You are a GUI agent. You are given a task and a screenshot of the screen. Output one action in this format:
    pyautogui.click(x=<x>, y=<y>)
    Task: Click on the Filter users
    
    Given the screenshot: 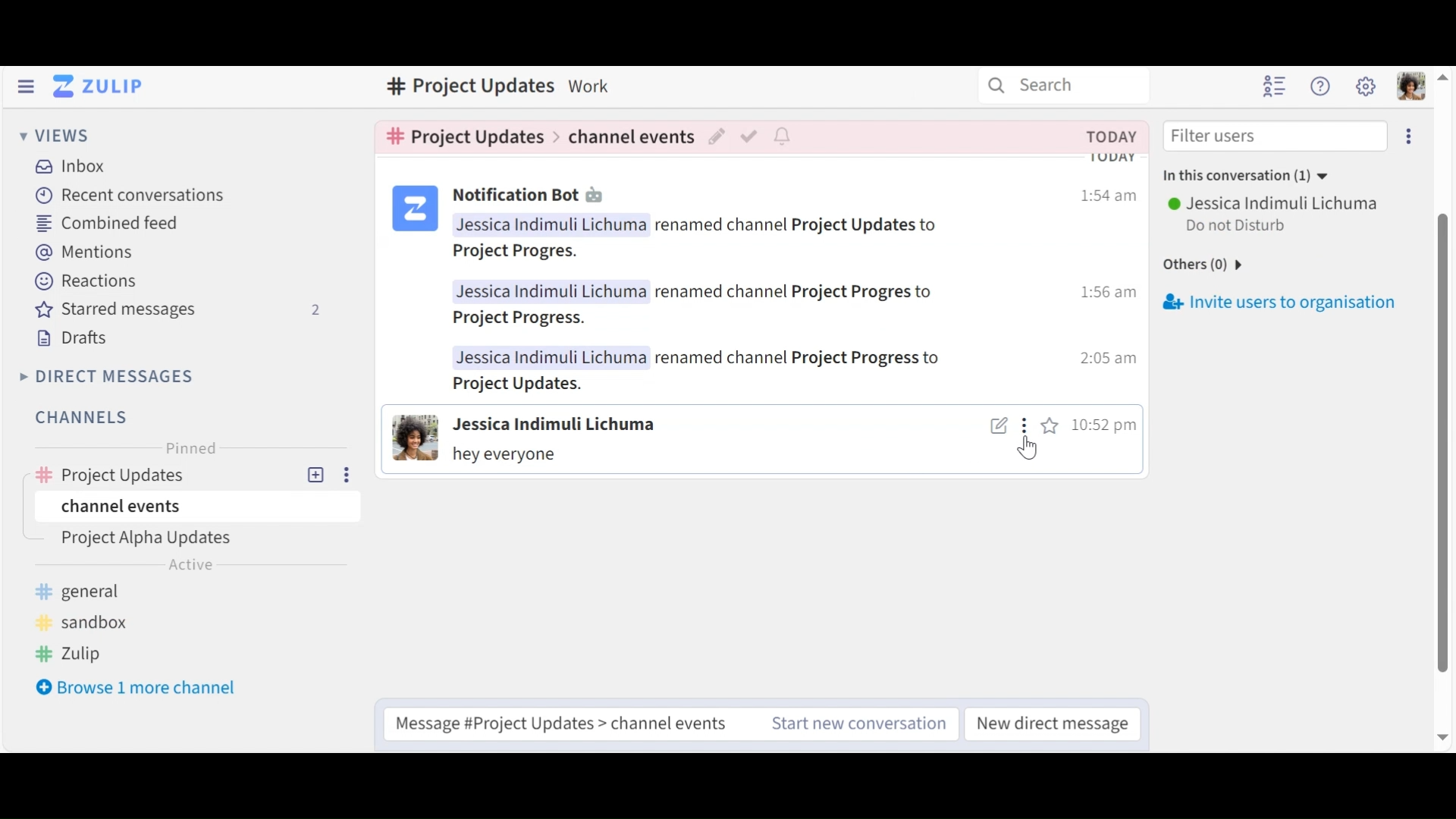 What is the action you would take?
    pyautogui.click(x=1272, y=137)
    